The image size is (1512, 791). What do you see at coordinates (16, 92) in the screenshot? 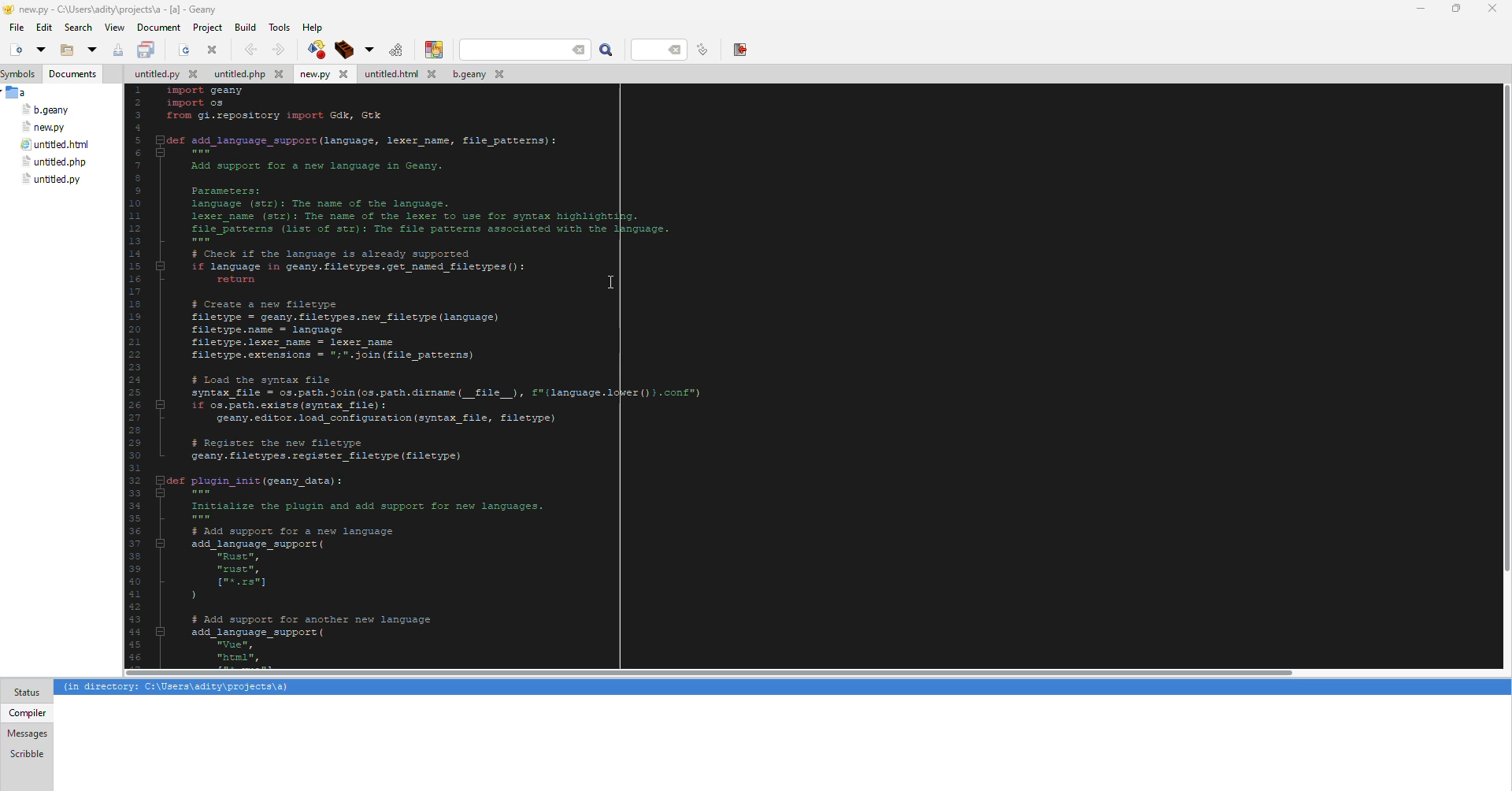
I see `a` at bounding box center [16, 92].